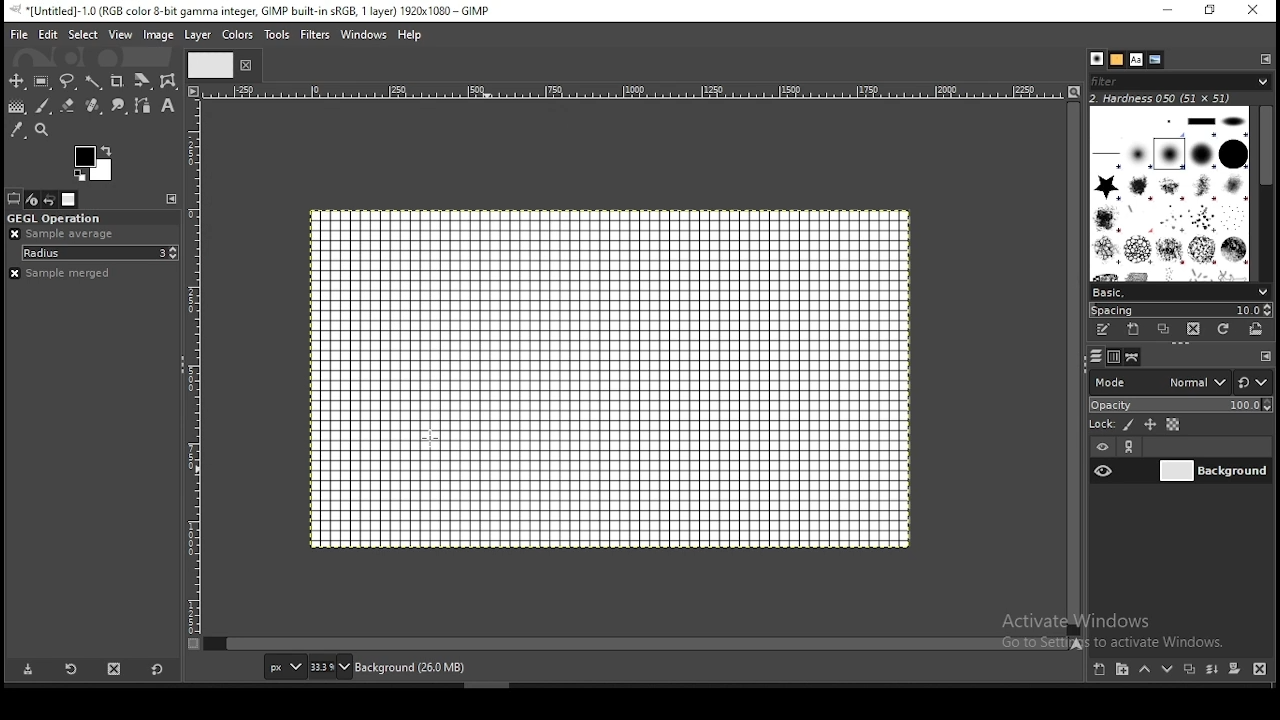 This screenshot has width=1280, height=720. Describe the element at coordinates (1211, 671) in the screenshot. I see `merge layer` at that location.